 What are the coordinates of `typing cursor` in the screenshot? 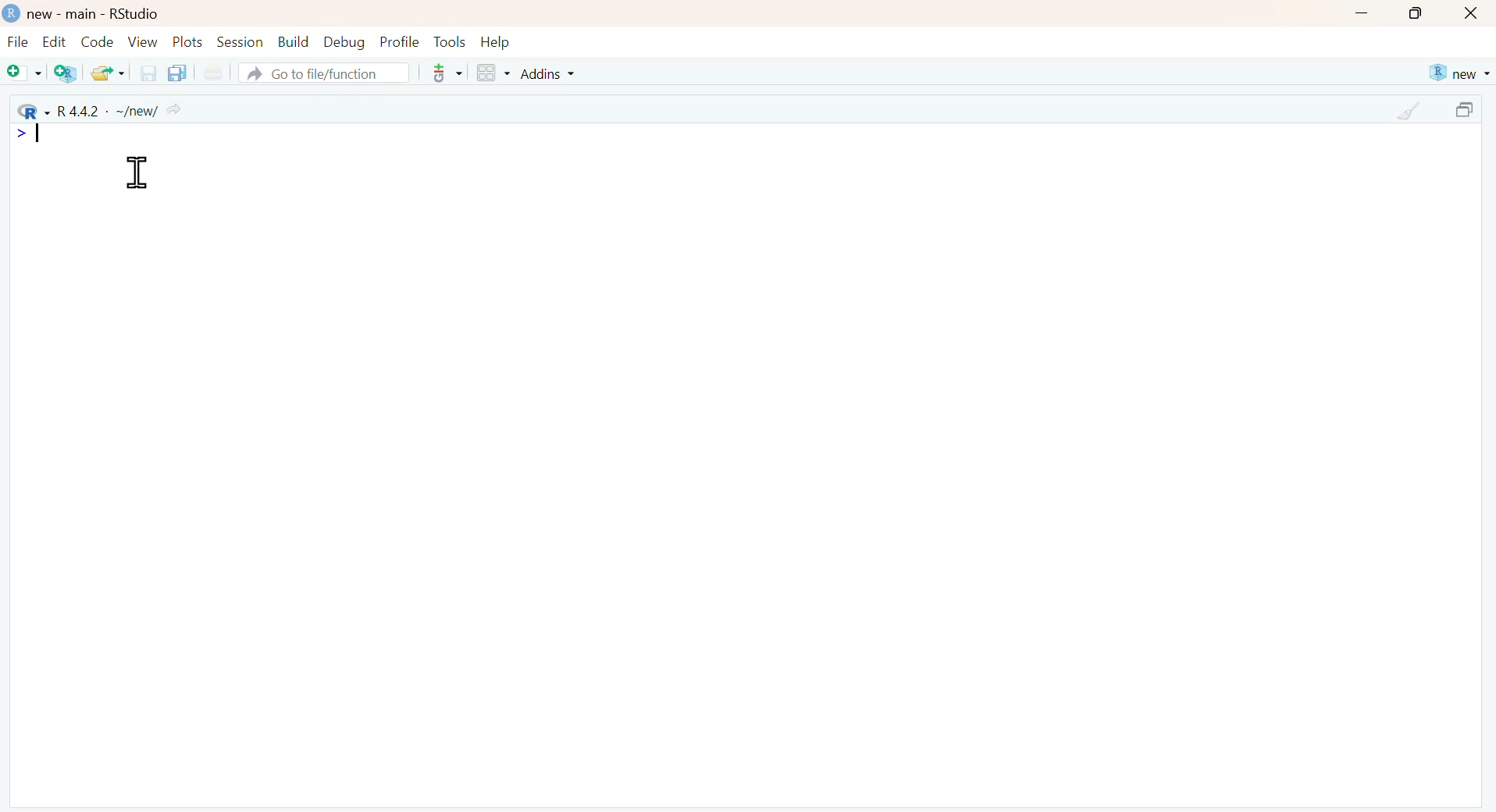 It's located at (31, 135).